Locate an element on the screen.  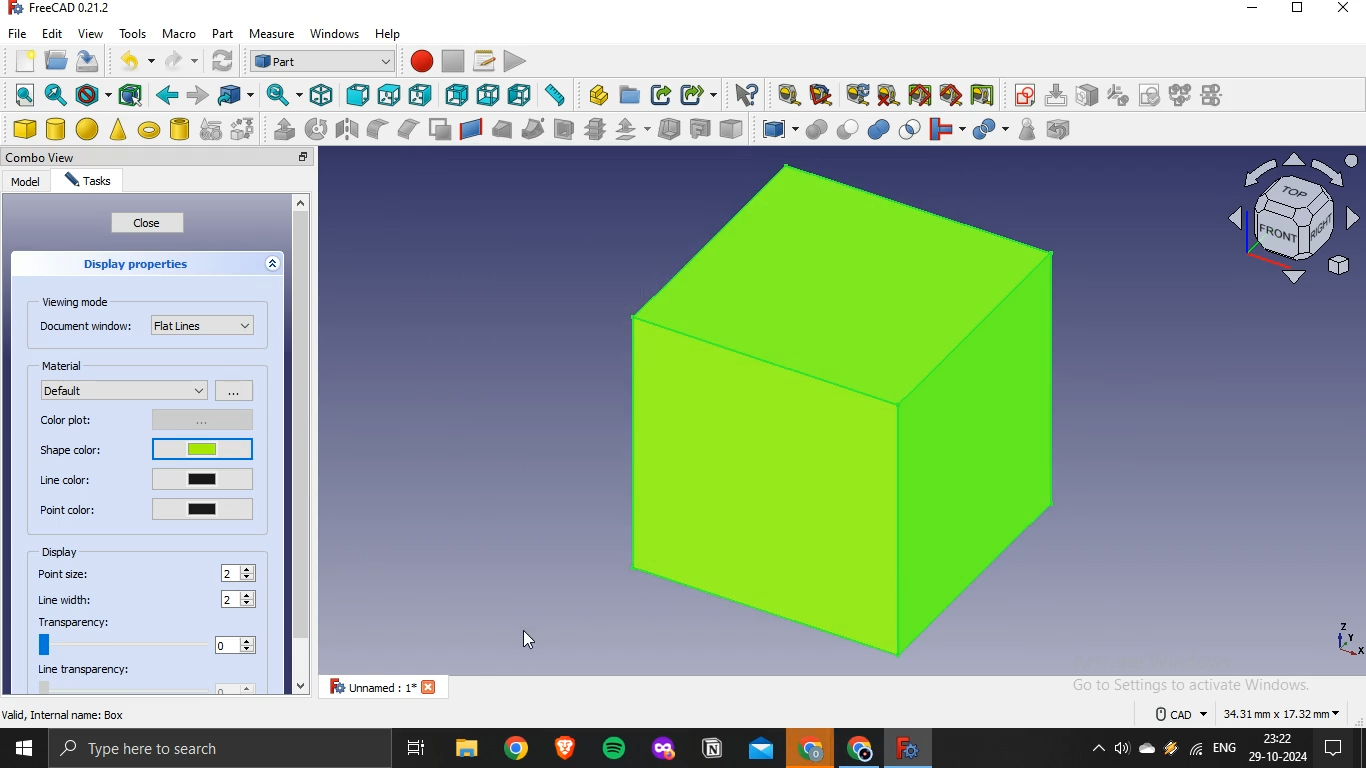
google chrome is located at coordinates (516, 749).